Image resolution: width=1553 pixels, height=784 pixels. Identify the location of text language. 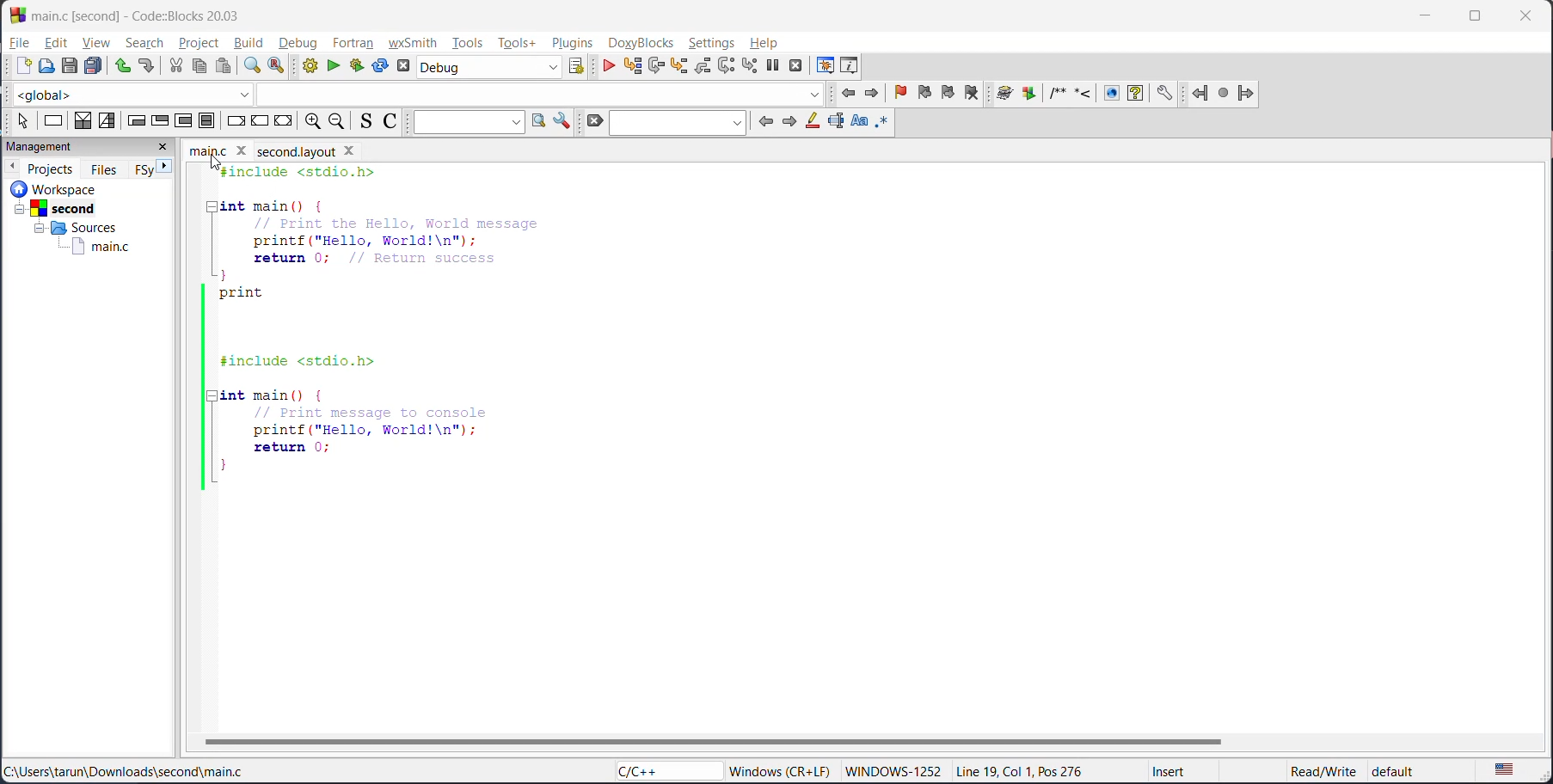
(1507, 770).